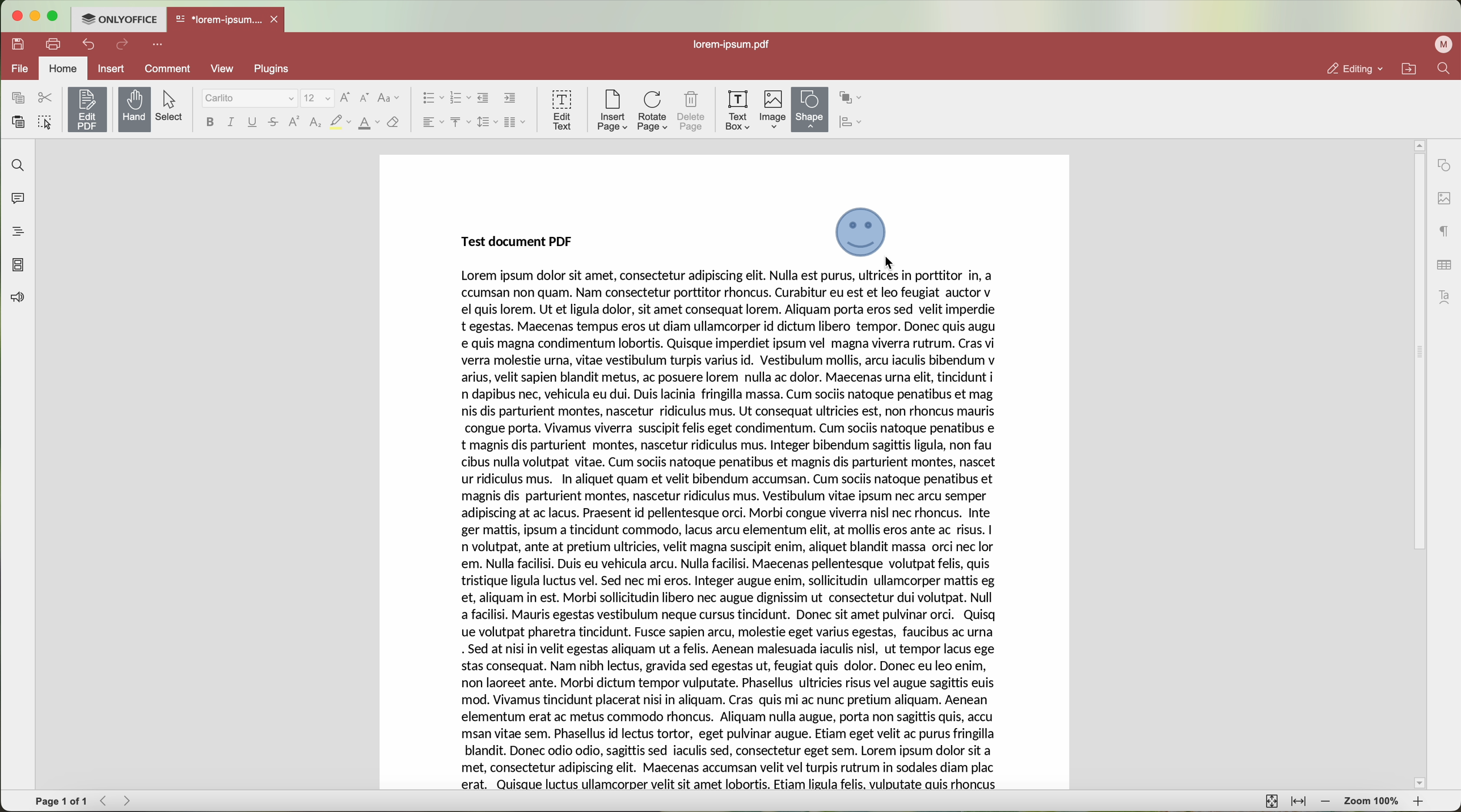 Image resolution: width=1461 pixels, height=812 pixels. What do you see at coordinates (208, 122) in the screenshot?
I see `bold` at bounding box center [208, 122].